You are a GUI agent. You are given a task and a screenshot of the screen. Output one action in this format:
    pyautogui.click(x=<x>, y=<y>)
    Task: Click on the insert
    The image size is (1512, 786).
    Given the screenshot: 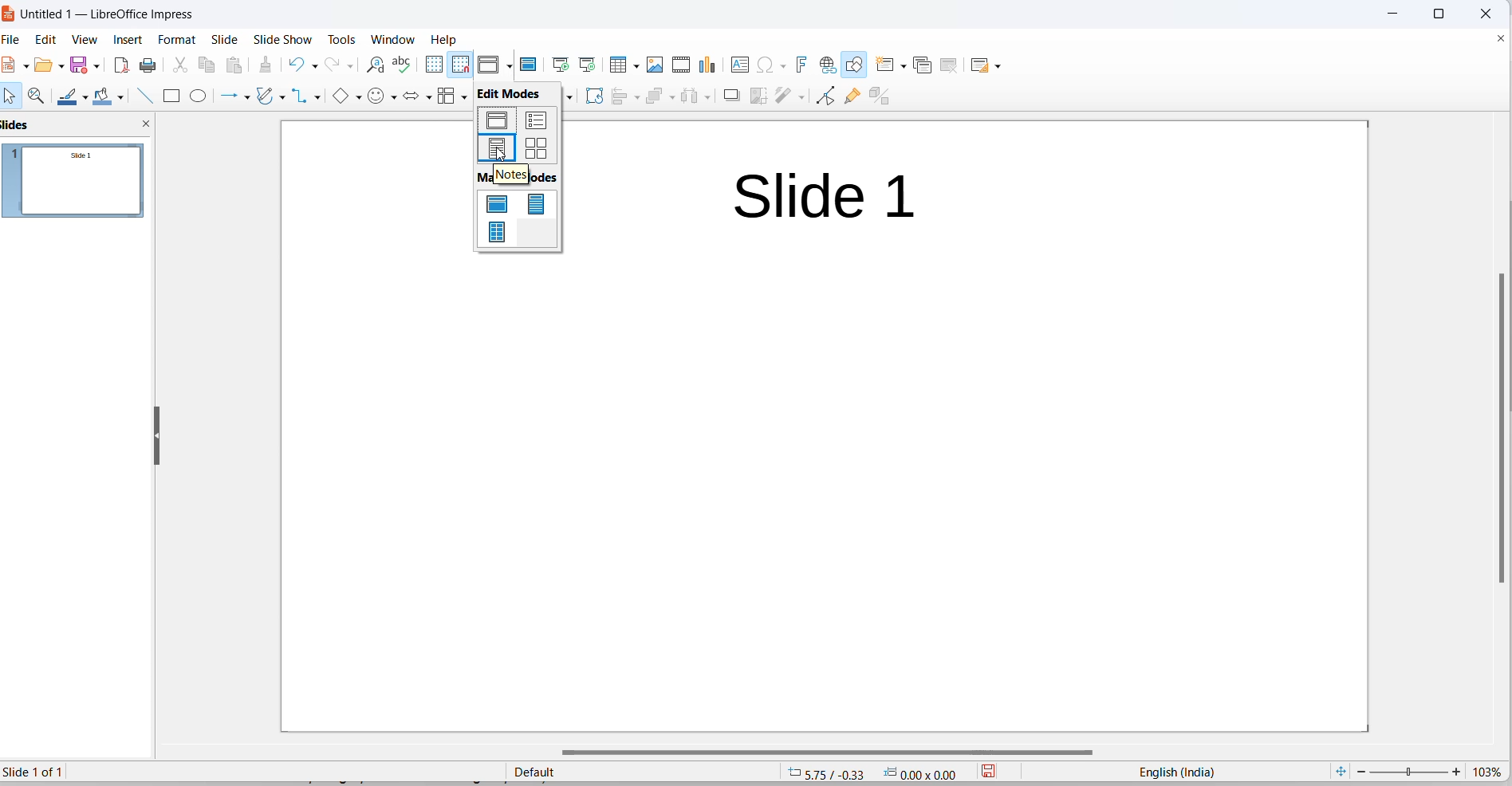 What is the action you would take?
    pyautogui.click(x=130, y=41)
    